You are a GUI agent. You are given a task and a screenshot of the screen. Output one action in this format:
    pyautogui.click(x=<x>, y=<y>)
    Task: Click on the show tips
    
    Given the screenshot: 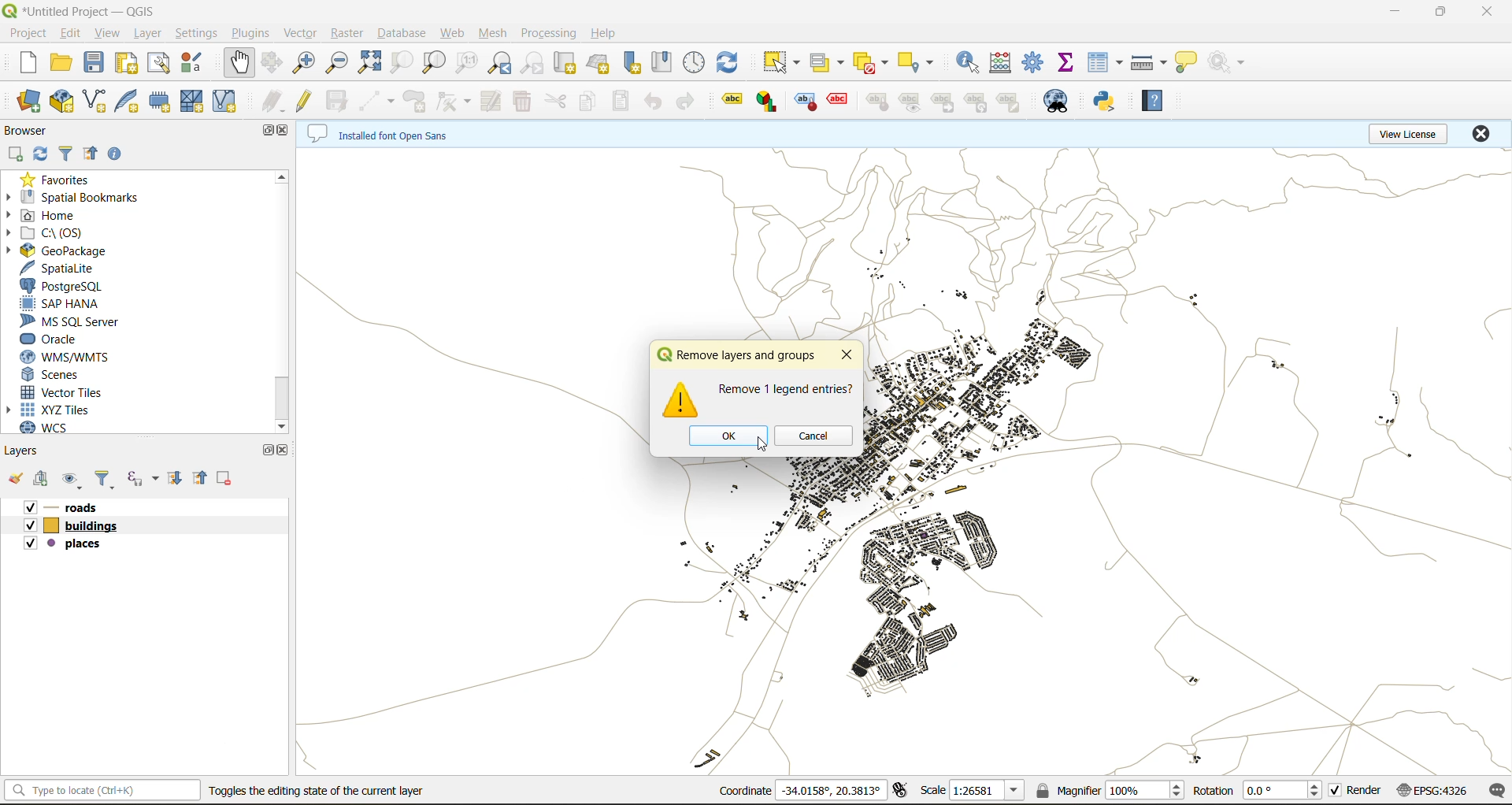 What is the action you would take?
    pyautogui.click(x=1186, y=64)
    